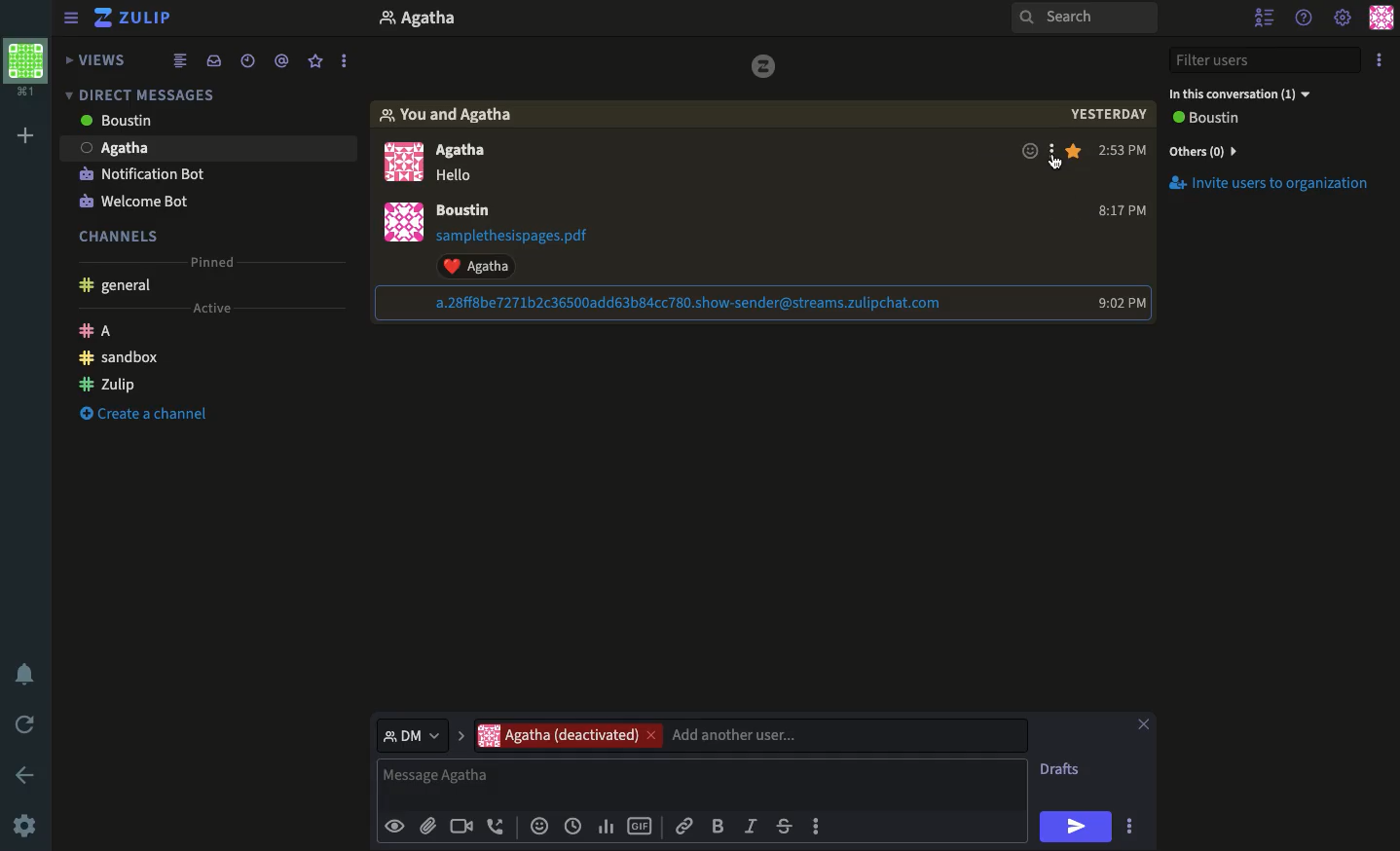  I want to click on Options, so click(1379, 59).